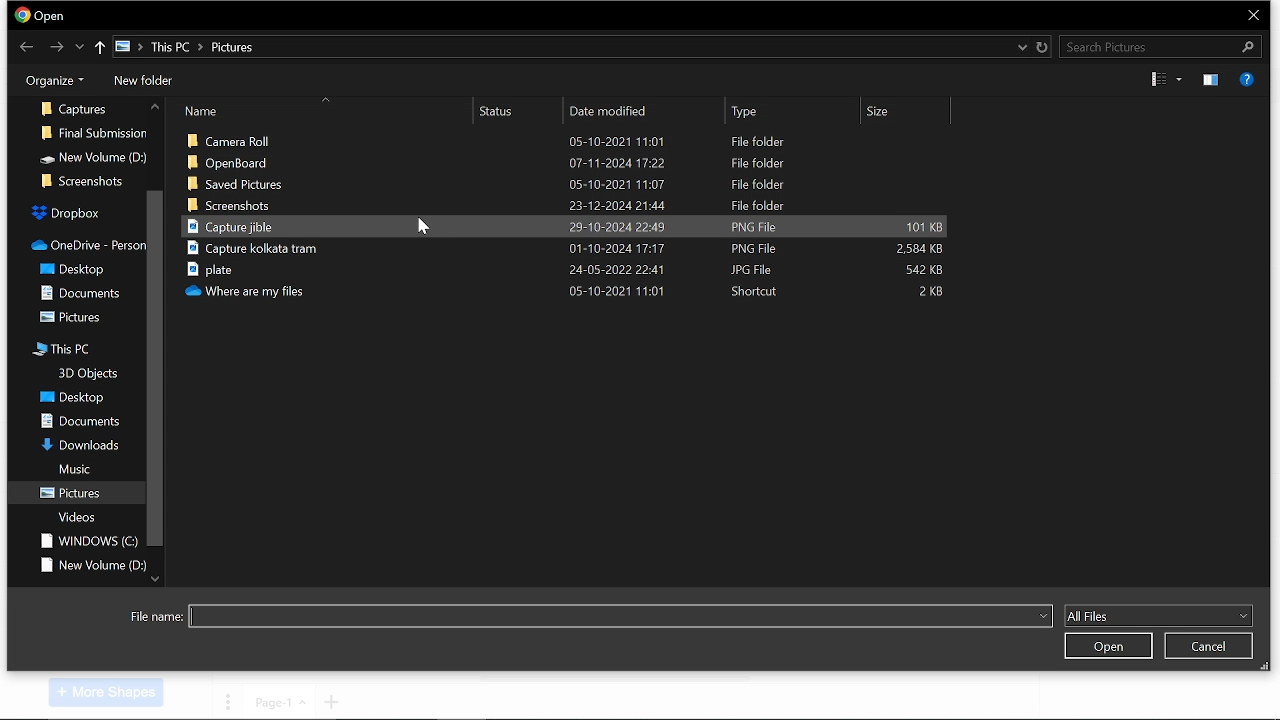  I want to click on new folder, so click(141, 82).